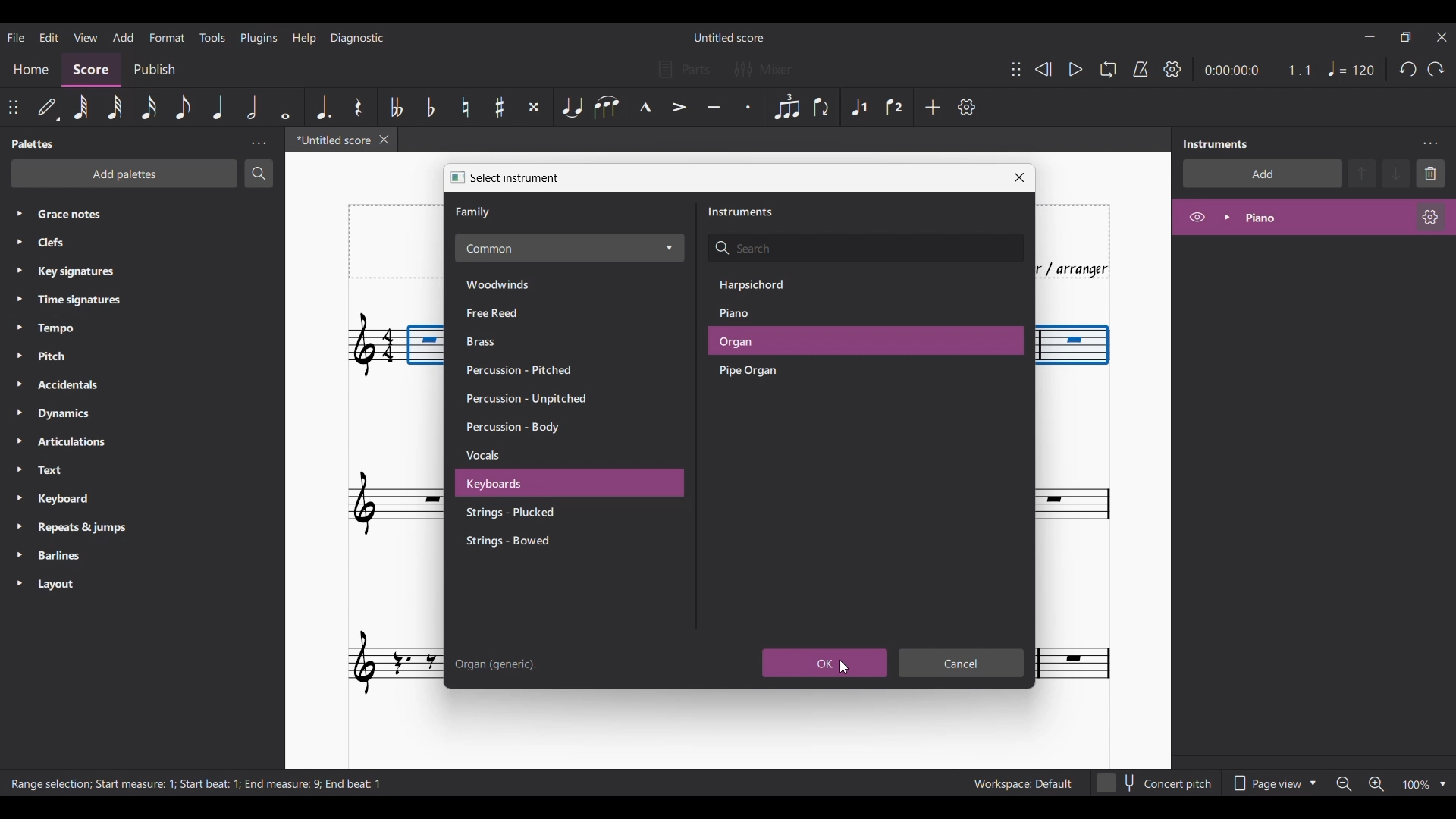 The height and width of the screenshot is (819, 1456). Describe the element at coordinates (1407, 69) in the screenshot. I see `Undo` at that location.